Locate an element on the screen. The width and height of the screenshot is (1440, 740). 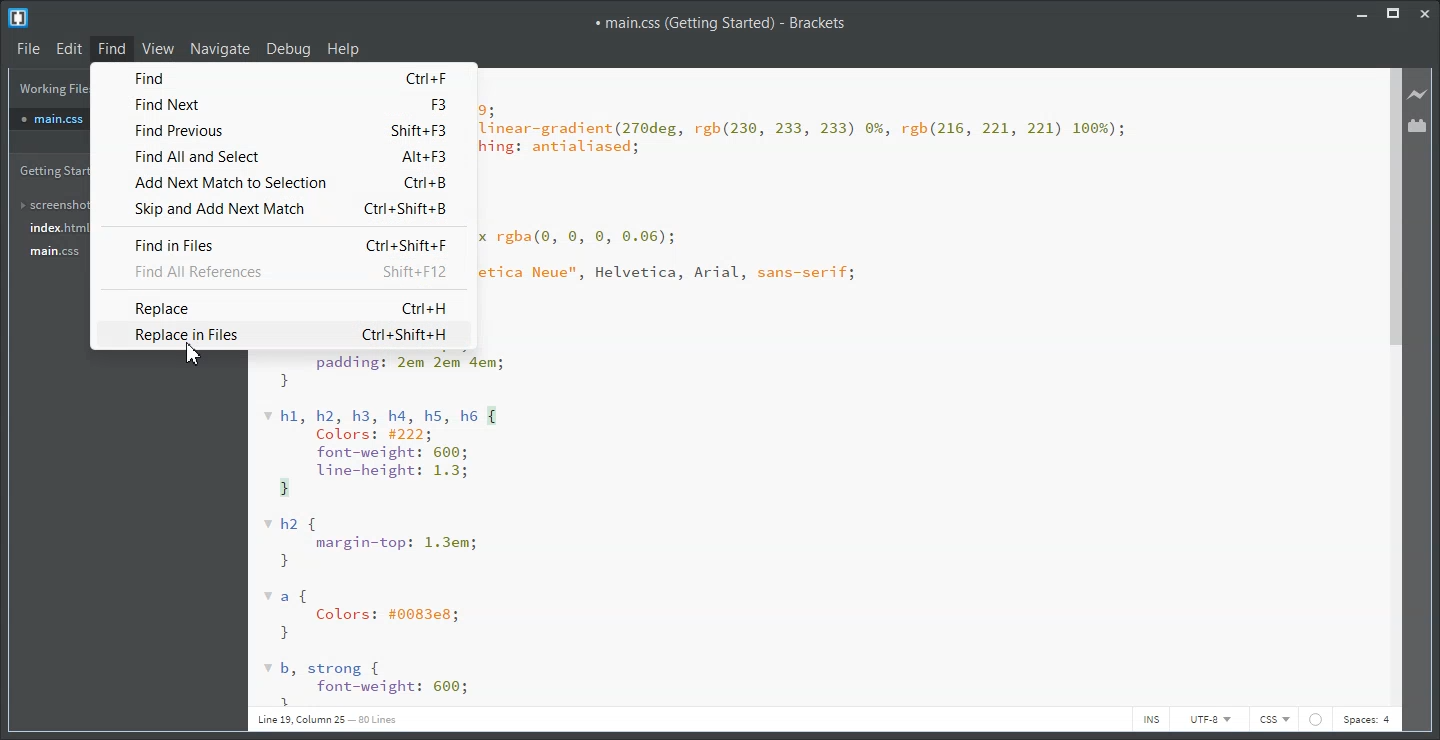
Find Ctrl+F is located at coordinates (289, 80).